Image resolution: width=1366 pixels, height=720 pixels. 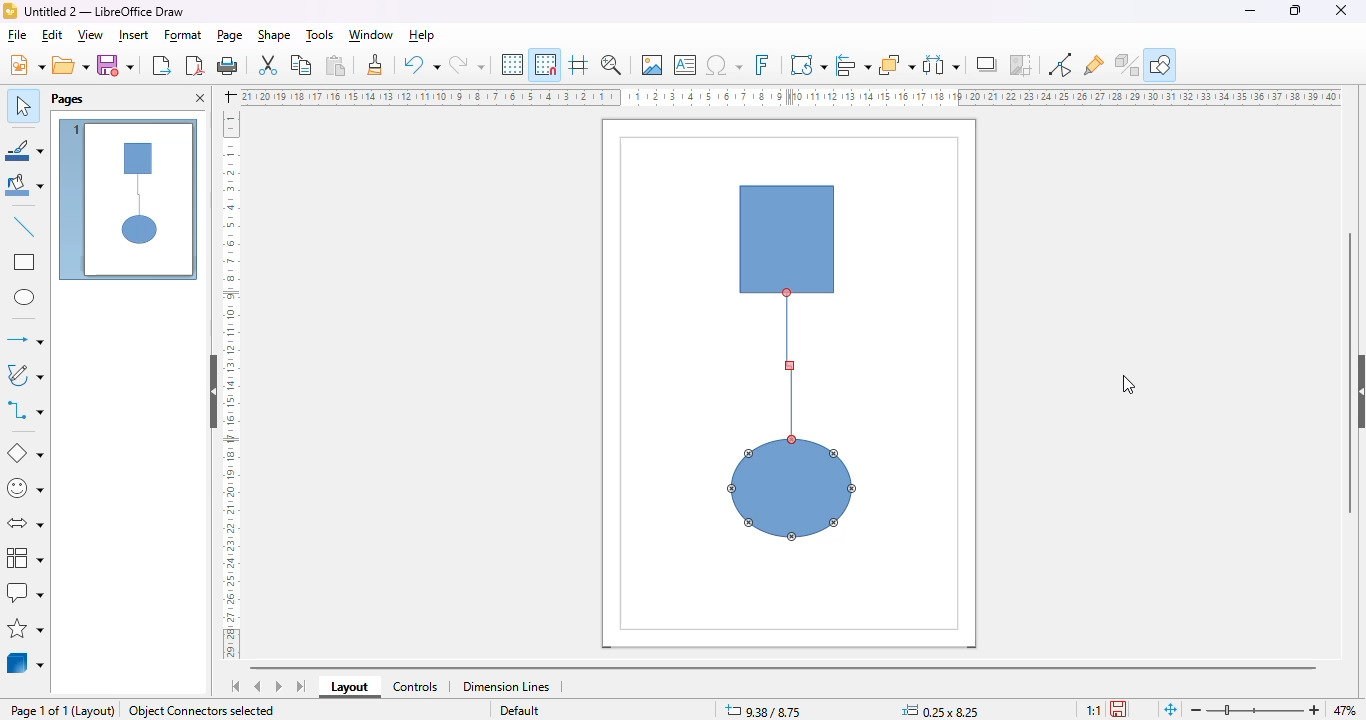 I want to click on connector tool, so click(x=790, y=369).